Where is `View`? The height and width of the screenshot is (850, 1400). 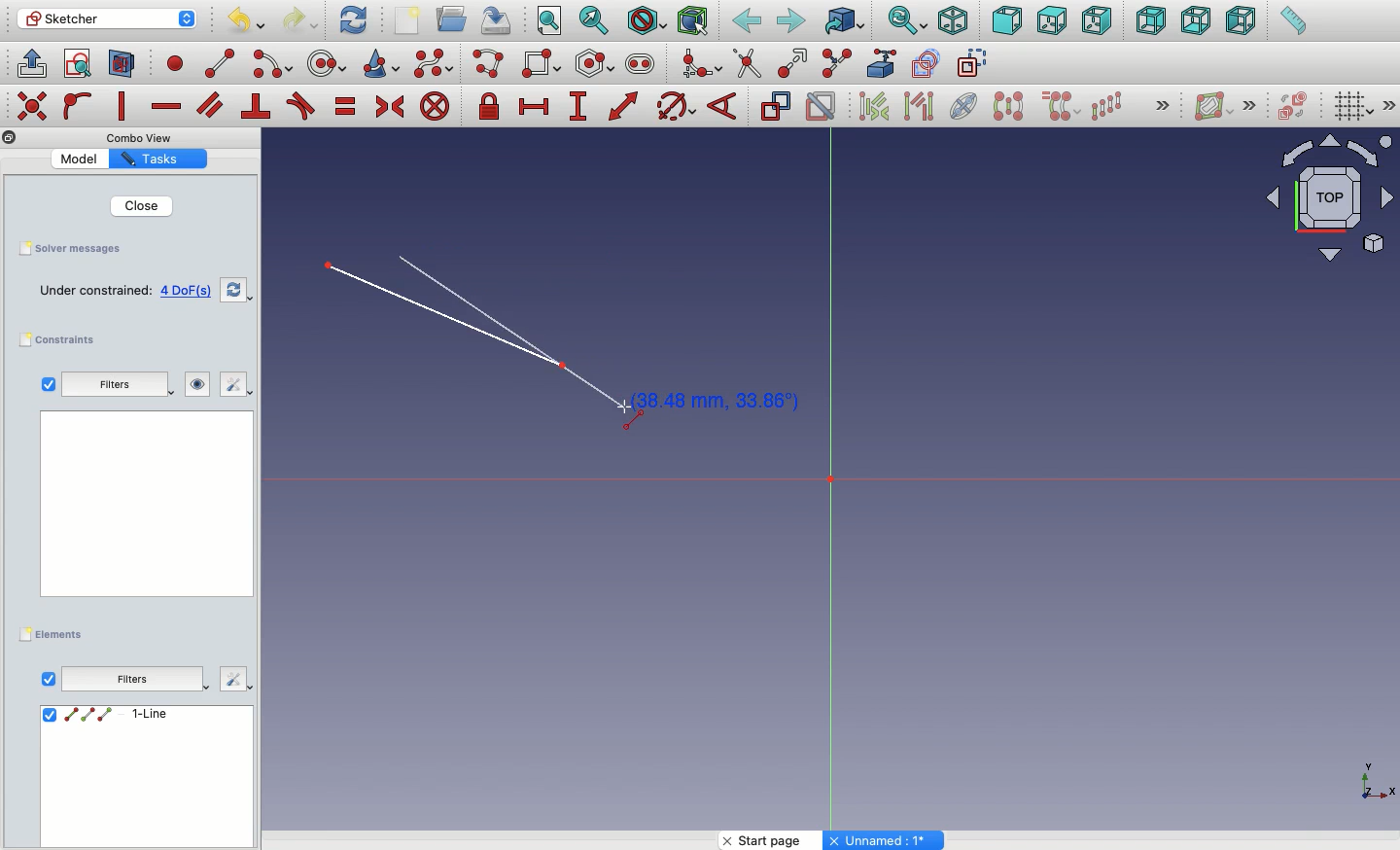 View is located at coordinates (48, 678).